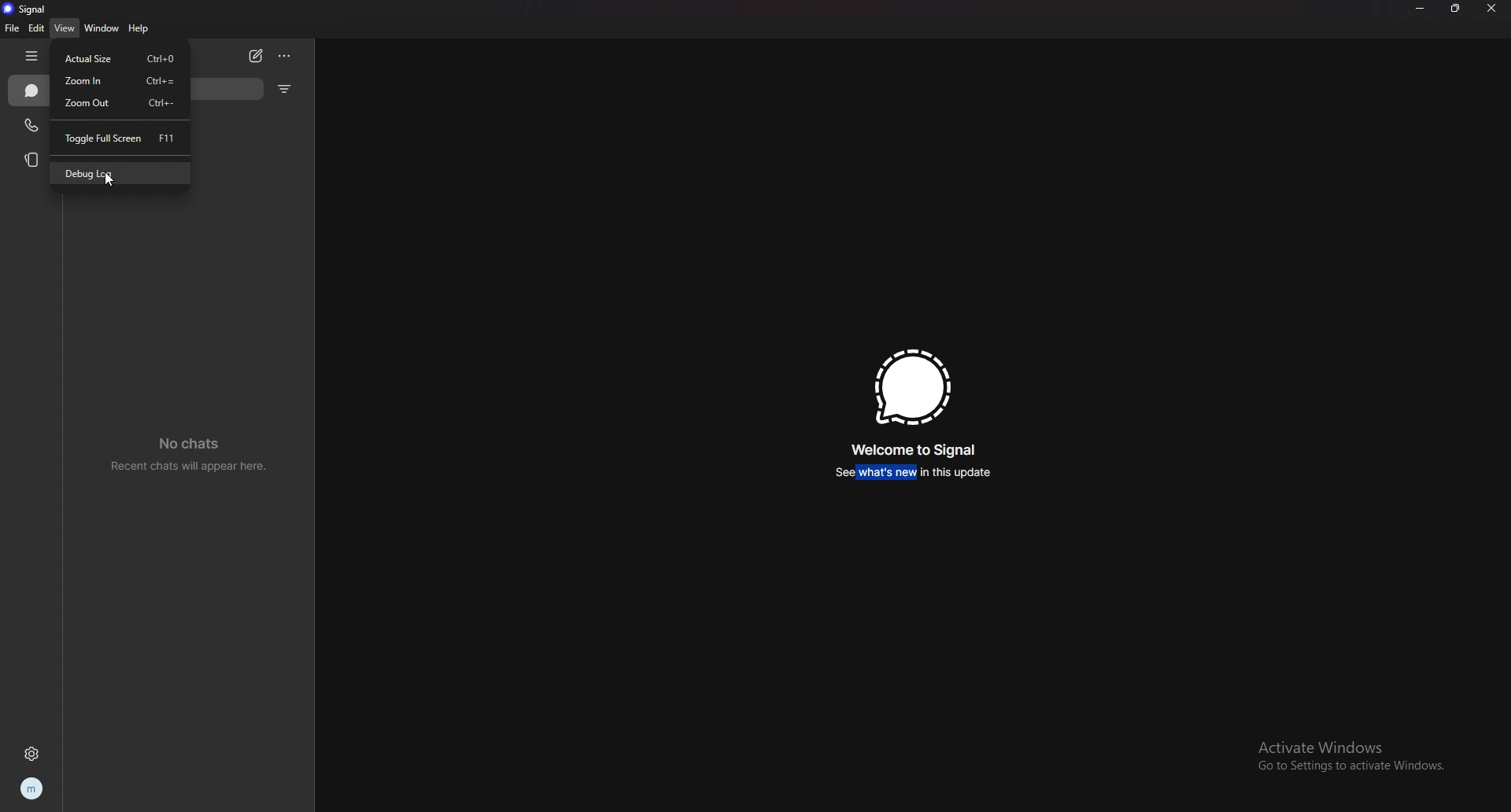 This screenshot has width=1511, height=812. What do you see at coordinates (286, 88) in the screenshot?
I see `filter` at bounding box center [286, 88].